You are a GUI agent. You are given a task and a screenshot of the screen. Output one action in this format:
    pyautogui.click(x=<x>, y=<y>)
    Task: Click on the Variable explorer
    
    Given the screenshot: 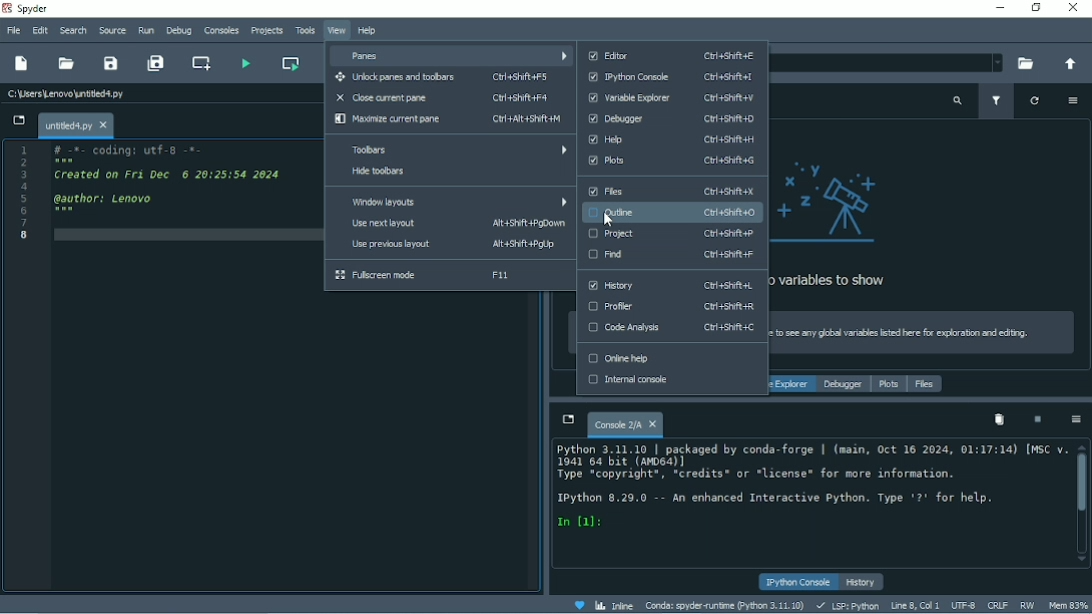 What is the action you would take?
    pyautogui.click(x=673, y=99)
    